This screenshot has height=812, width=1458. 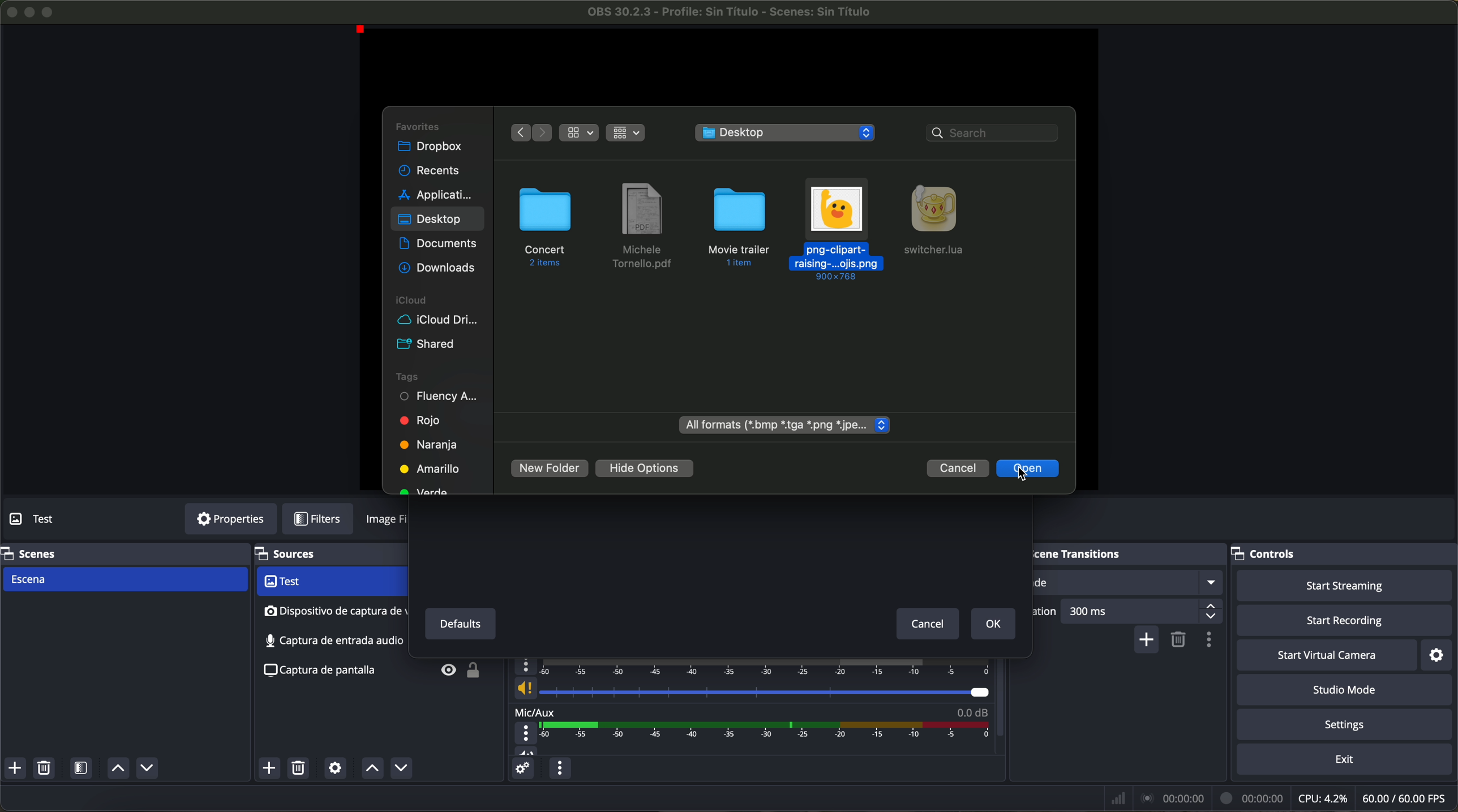 I want to click on dropbox, so click(x=431, y=147).